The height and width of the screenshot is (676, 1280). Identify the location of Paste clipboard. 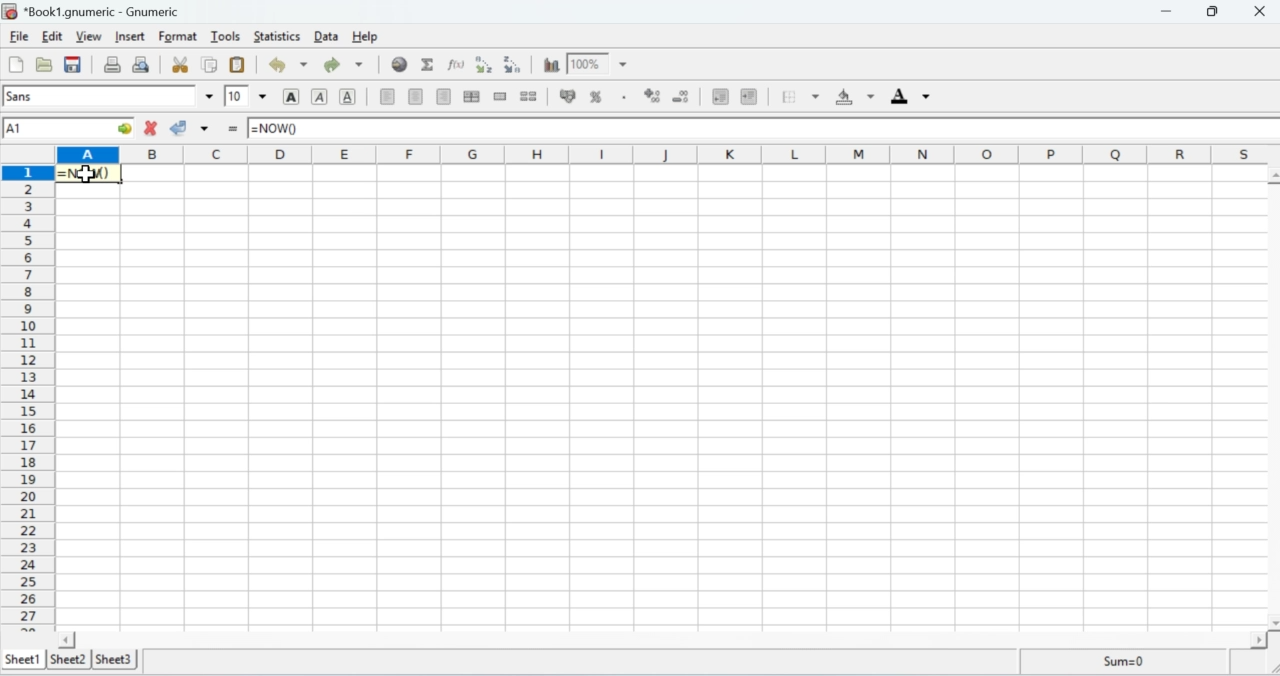
(238, 65).